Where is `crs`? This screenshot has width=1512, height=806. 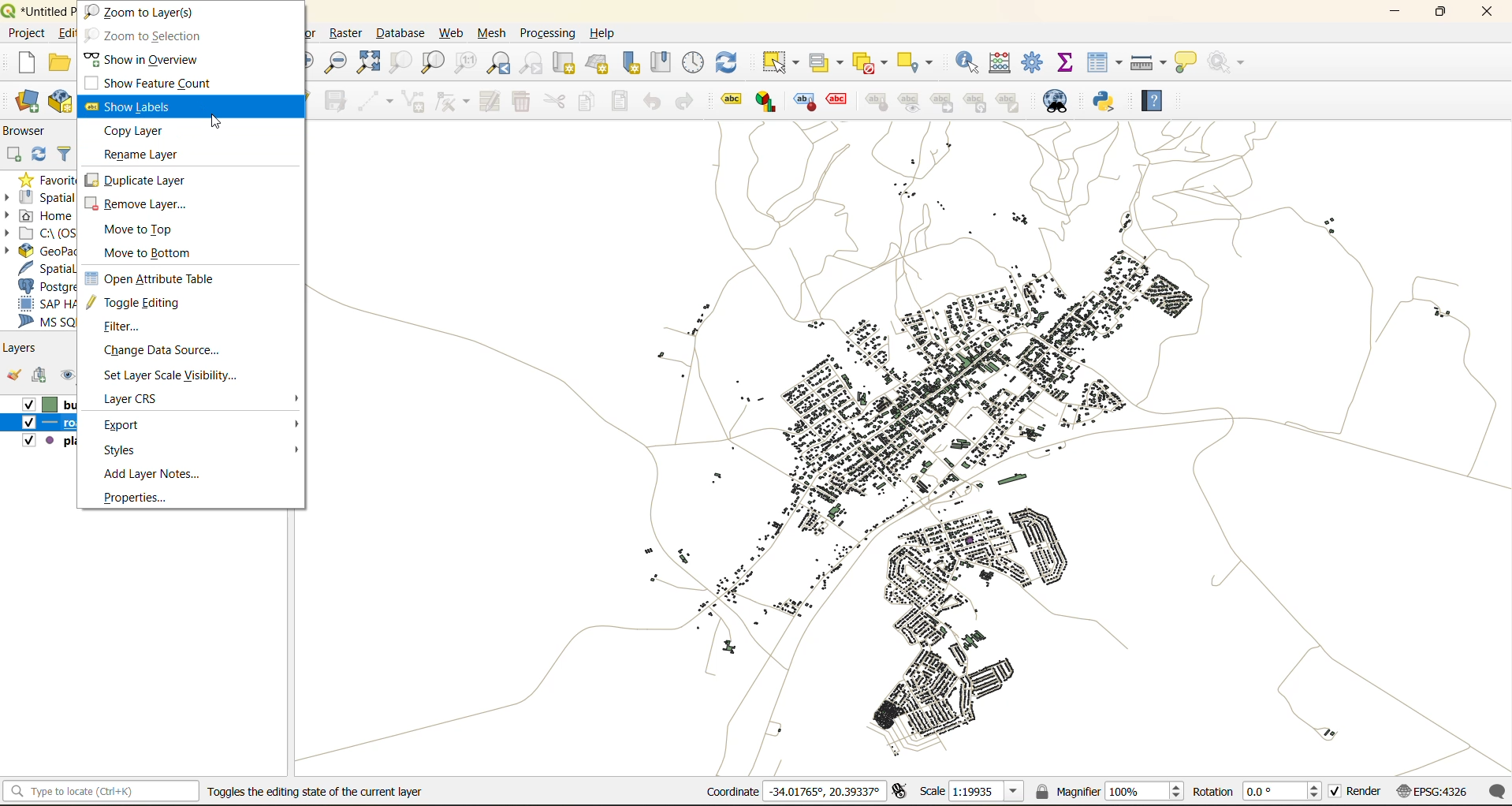 crs is located at coordinates (1434, 790).